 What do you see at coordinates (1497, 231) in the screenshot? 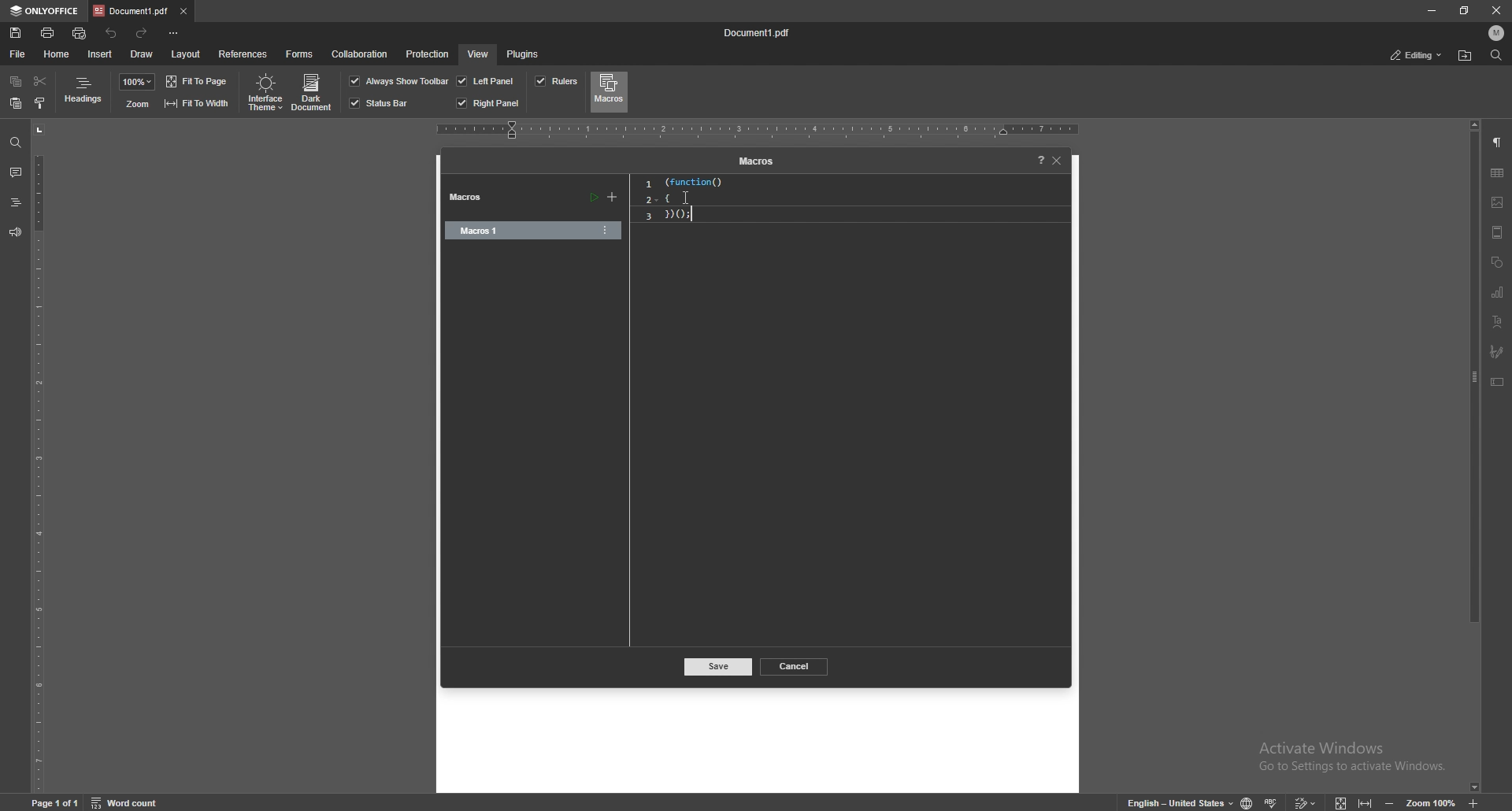
I see `header and footer` at bounding box center [1497, 231].